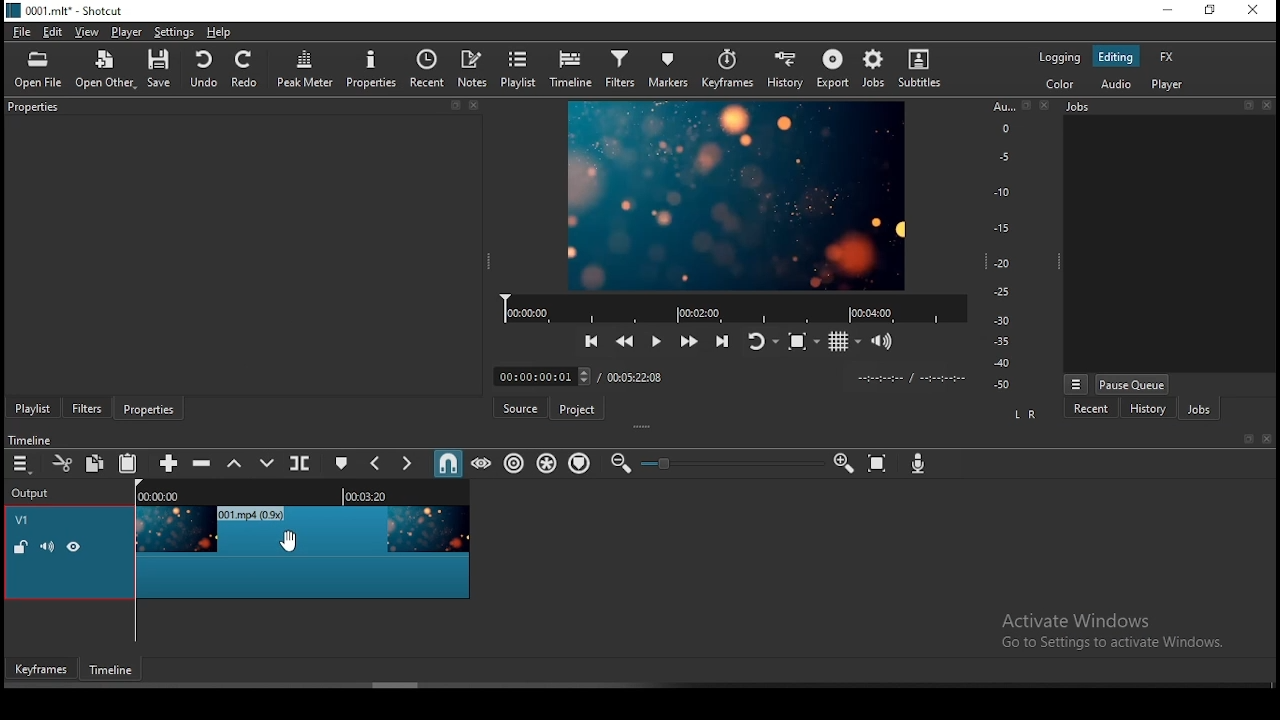 The width and height of the screenshot is (1280, 720). Describe the element at coordinates (1061, 56) in the screenshot. I see `logging` at that location.